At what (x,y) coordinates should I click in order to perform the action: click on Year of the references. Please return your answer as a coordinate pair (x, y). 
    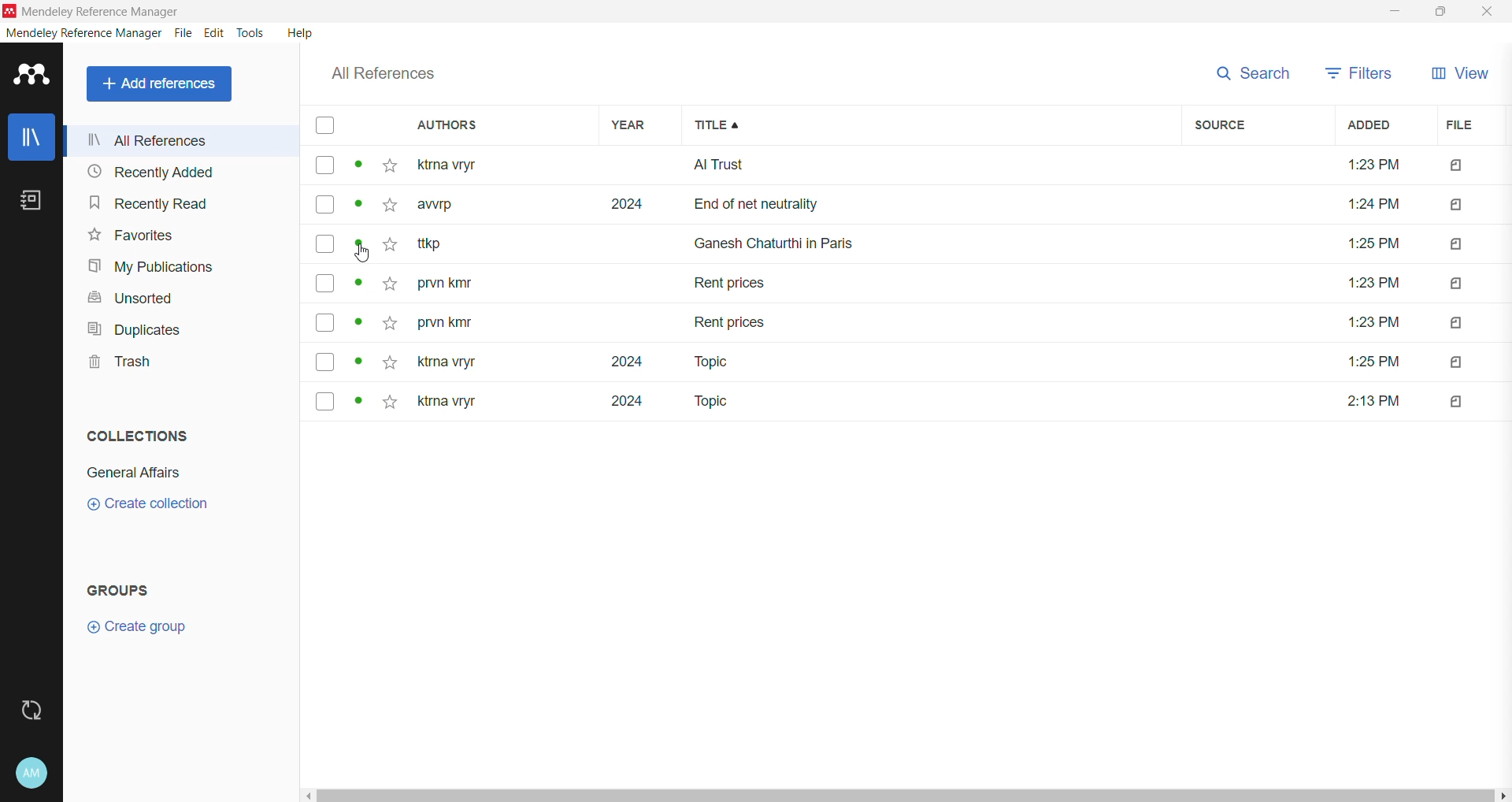
    Looking at the image, I should click on (640, 283).